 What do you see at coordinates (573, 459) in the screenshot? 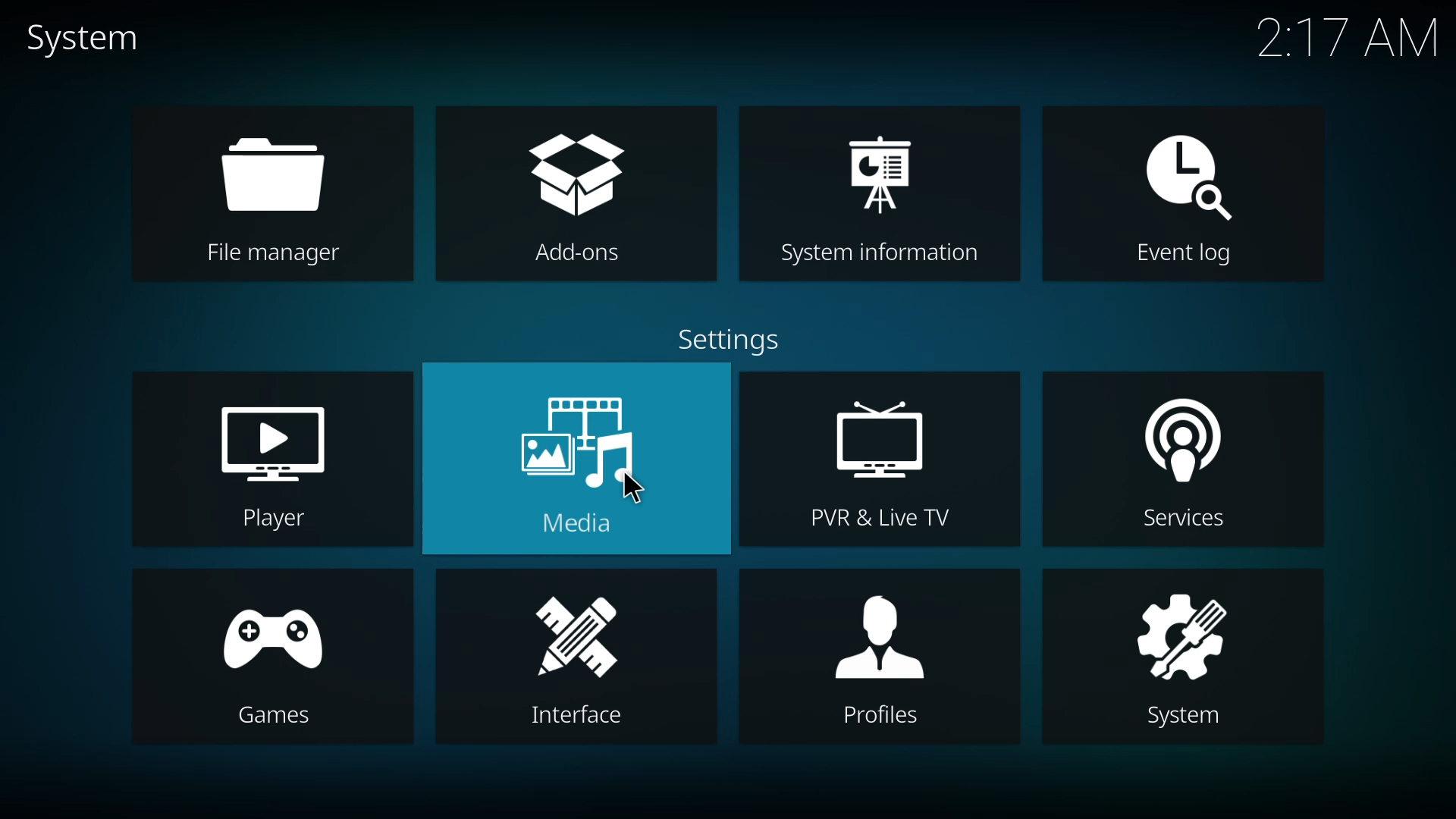
I see `media` at bounding box center [573, 459].